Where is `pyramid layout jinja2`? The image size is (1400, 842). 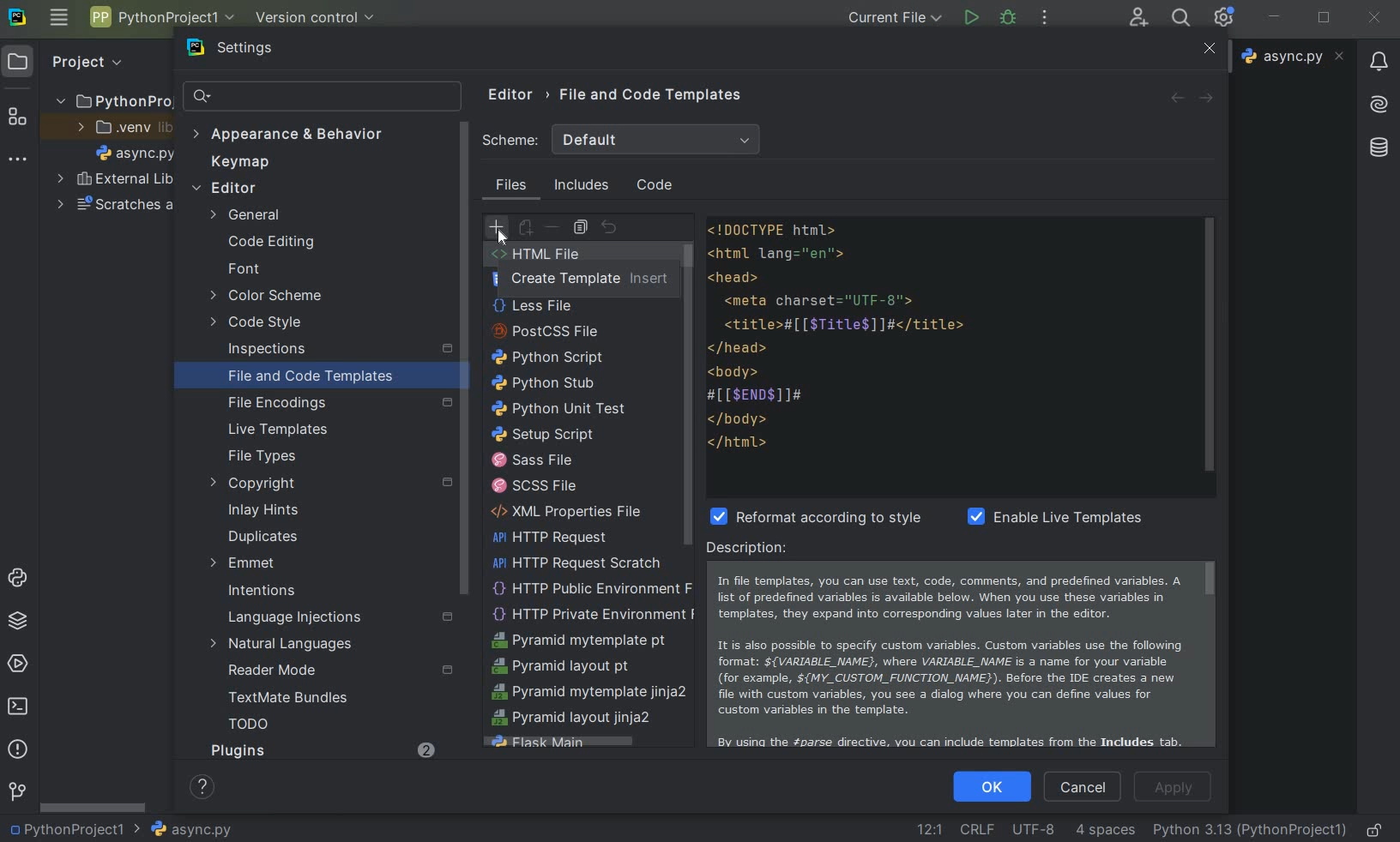
pyramid layout jinja2 is located at coordinates (569, 716).